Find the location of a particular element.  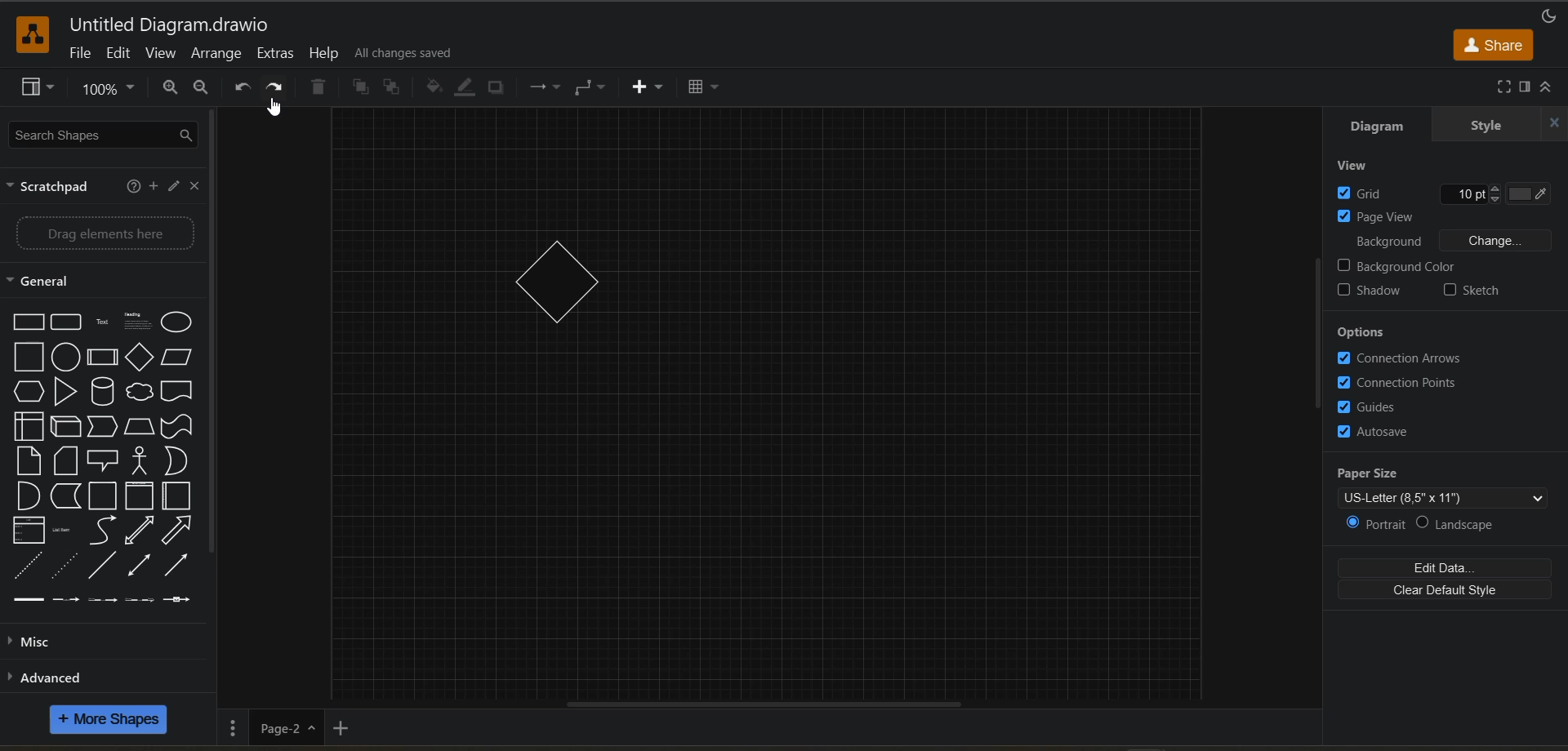

background color is located at coordinates (1402, 267).